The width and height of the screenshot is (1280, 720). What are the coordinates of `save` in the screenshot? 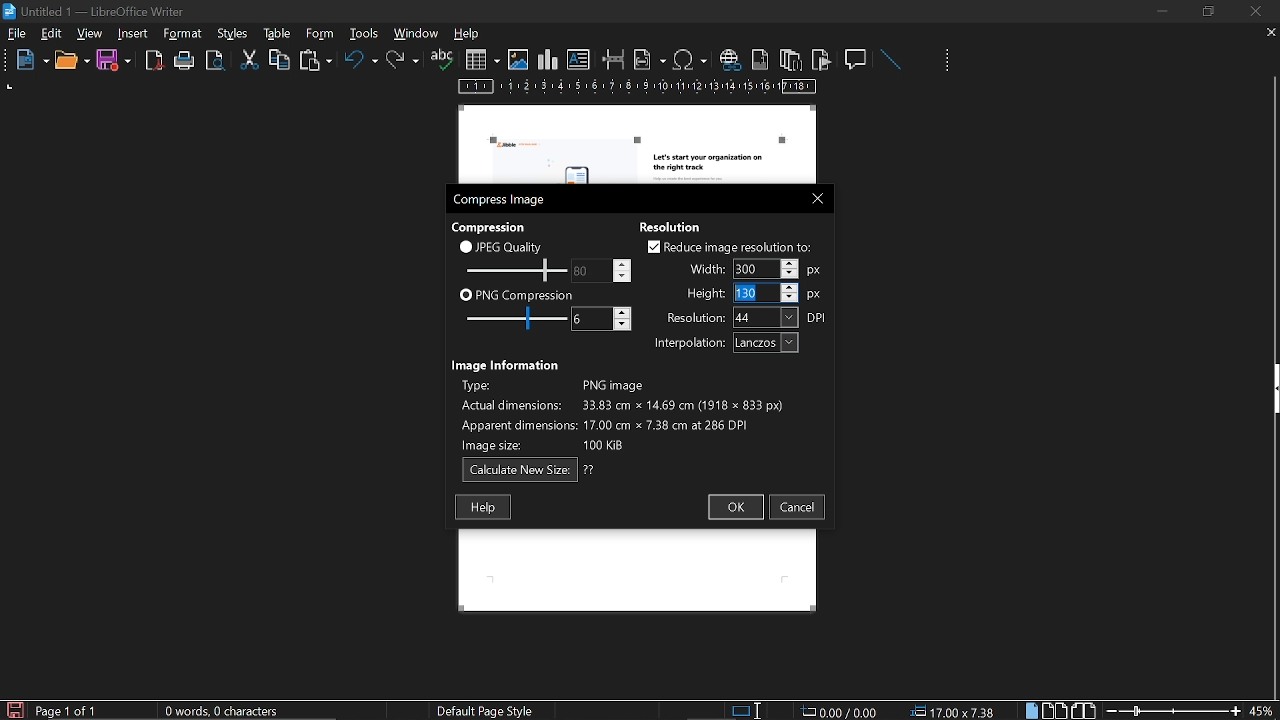 It's located at (14, 709).